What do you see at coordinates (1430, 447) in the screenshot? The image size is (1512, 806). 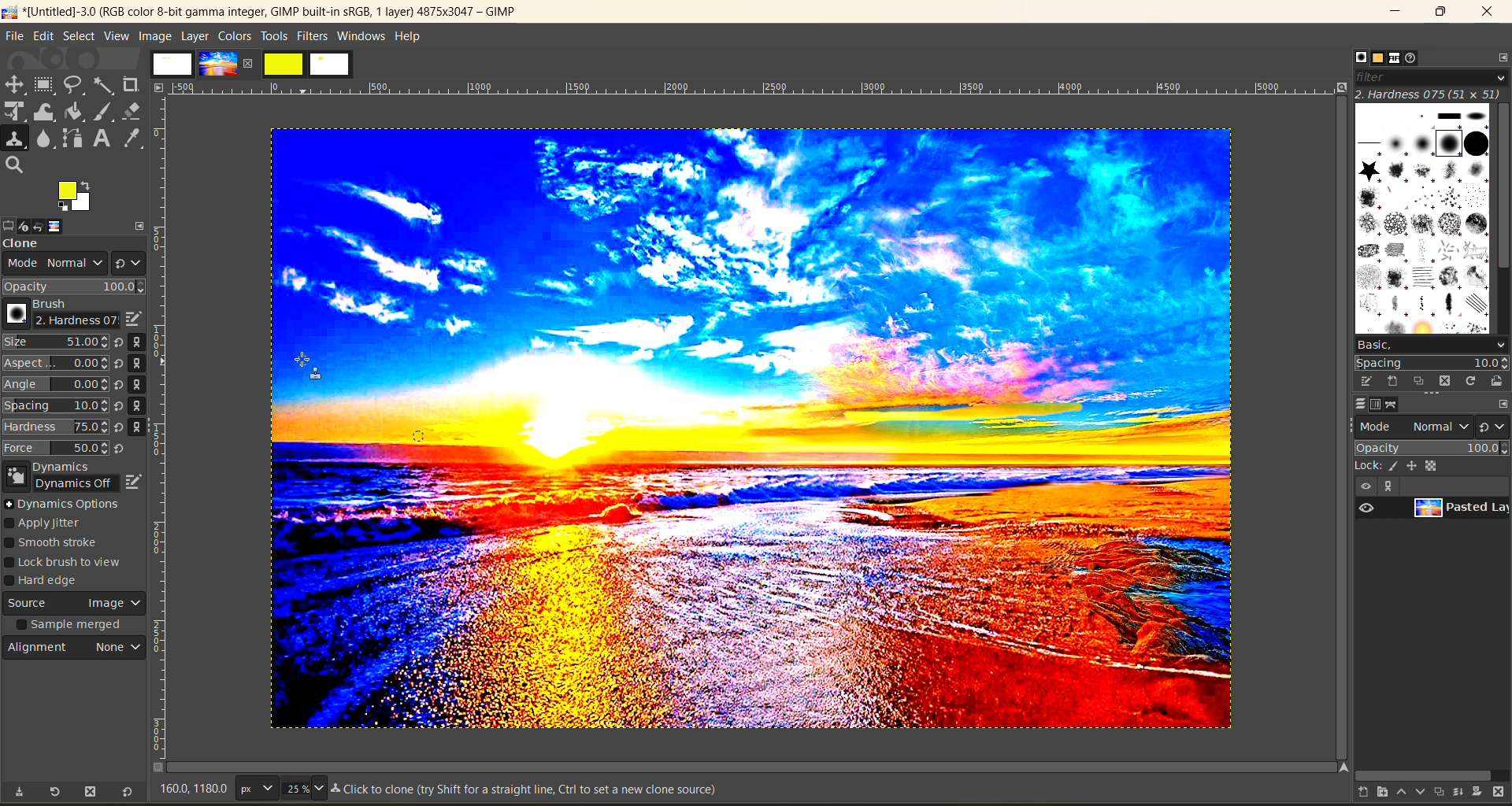 I see `opacity` at bounding box center [1430, 447].